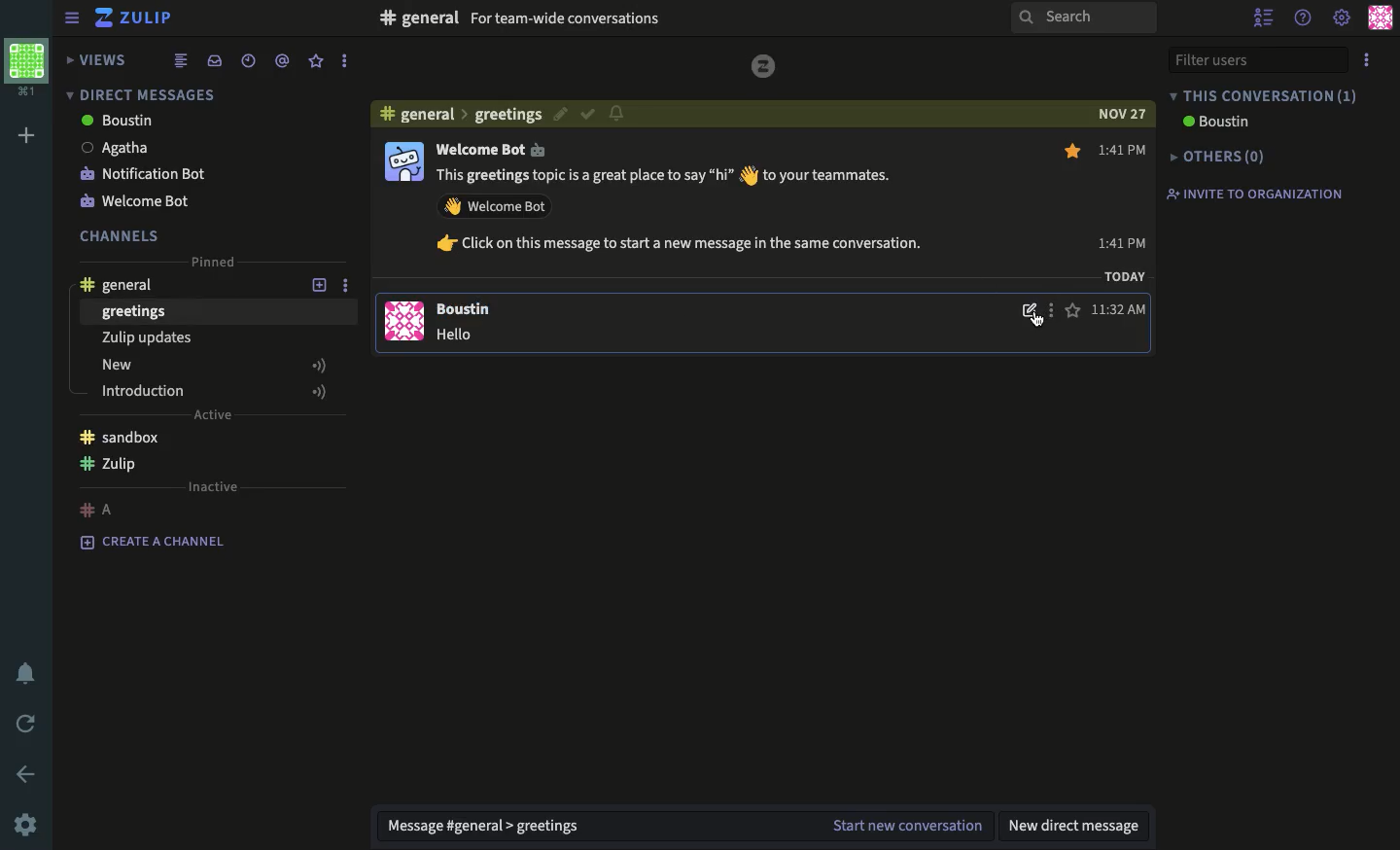 This screenshot has width=1400, height=850. What do you see at coordinates (144, 339) in the screenshot?
I see `Zulip updates` at bounding box center [144, 339].